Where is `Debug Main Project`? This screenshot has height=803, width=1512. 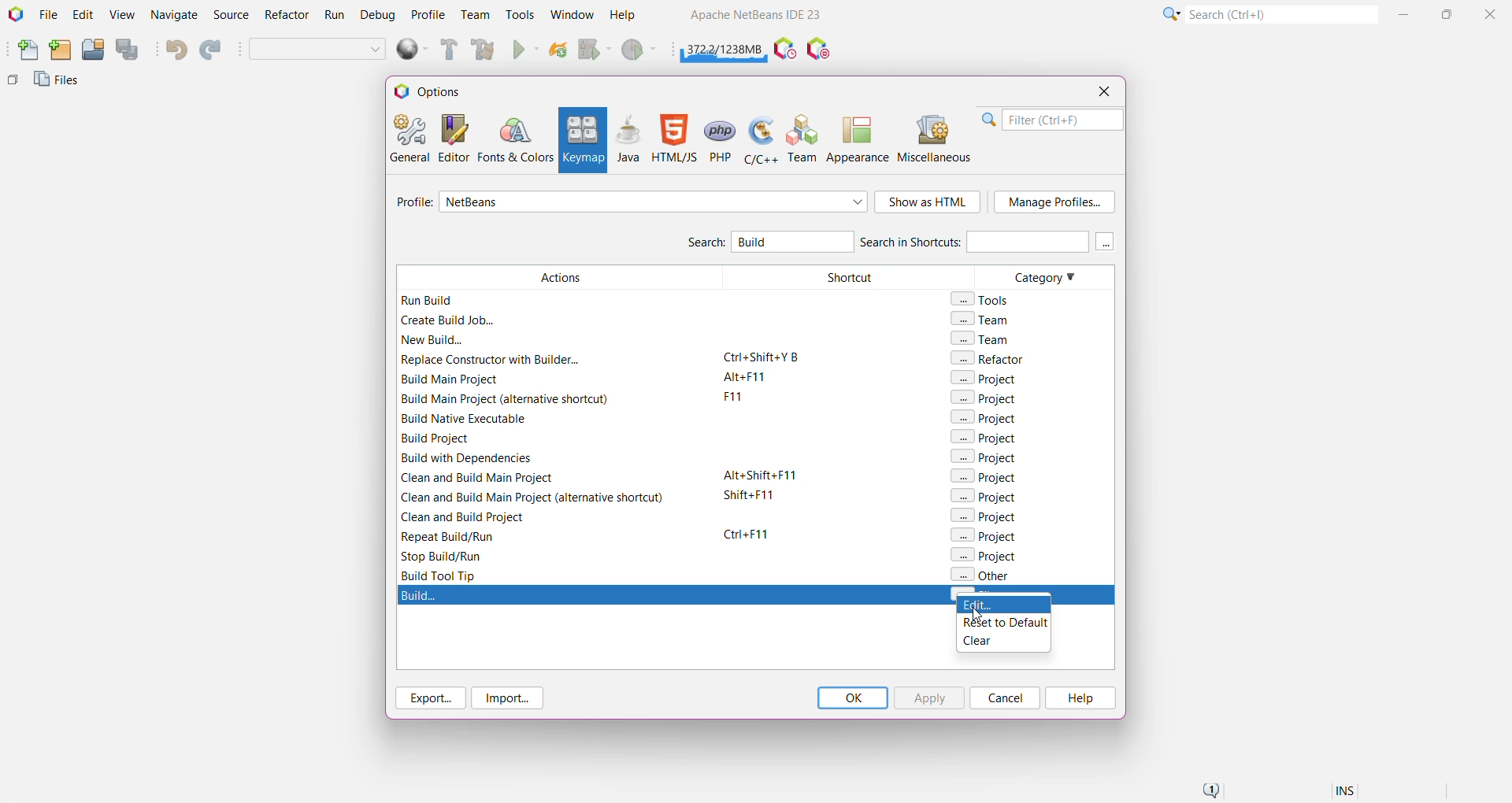 Debug Main Project is located at coordinates (594, 50).